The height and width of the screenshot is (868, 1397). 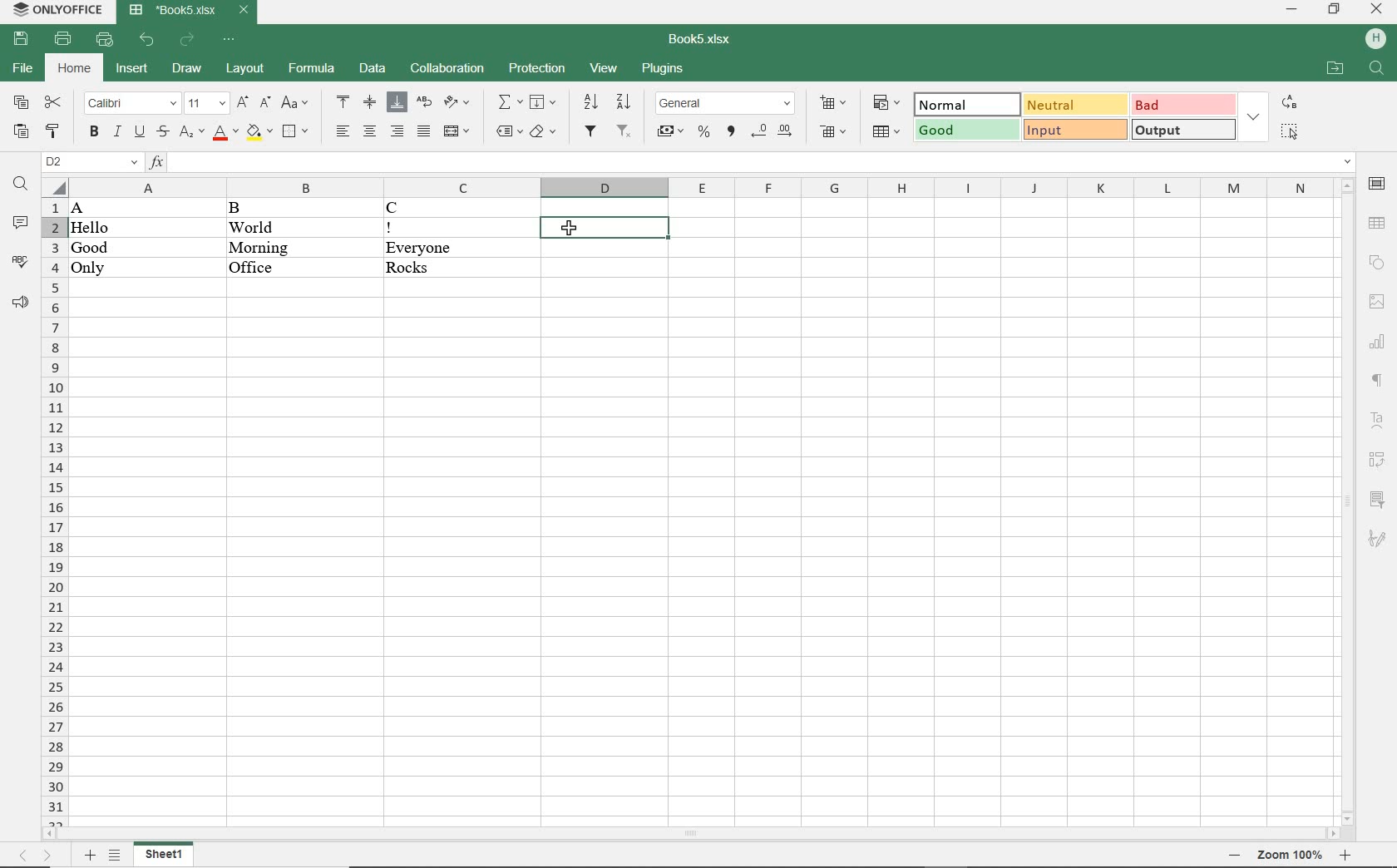 I want to click on MINIMIZE, so click(x=1291, y=10).